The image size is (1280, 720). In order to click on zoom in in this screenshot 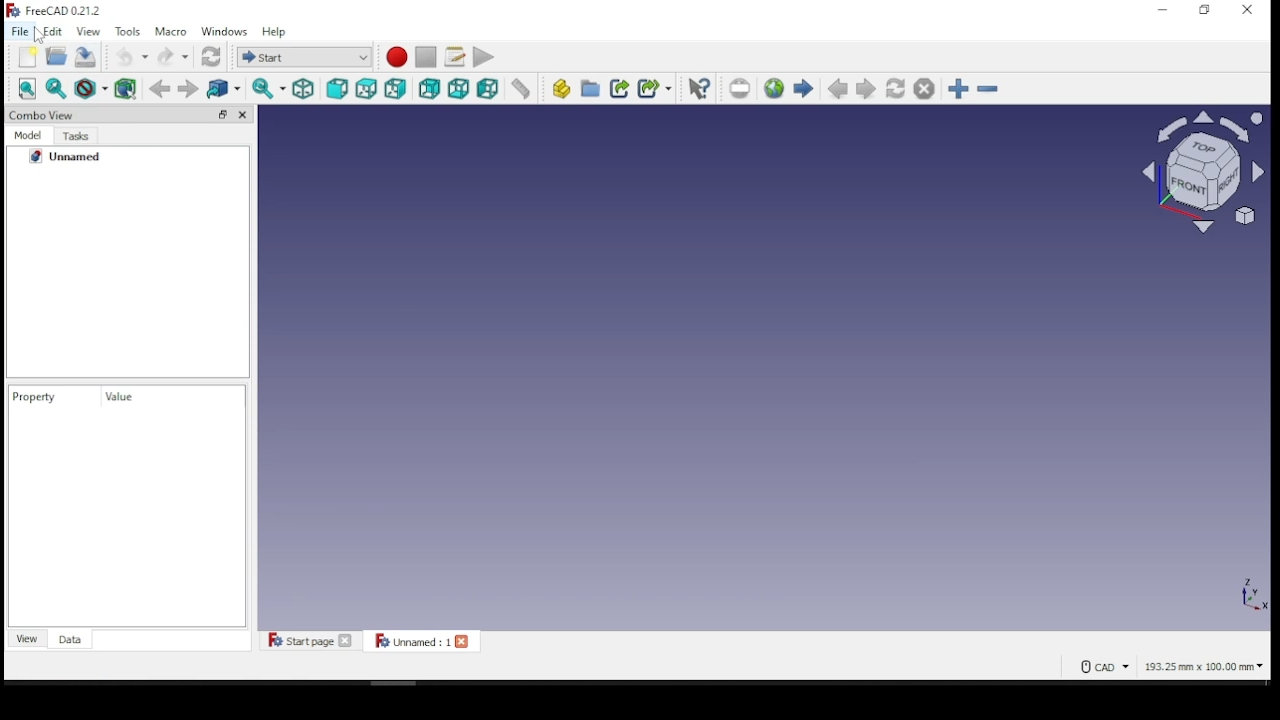, I will do `click(958, 88)`.